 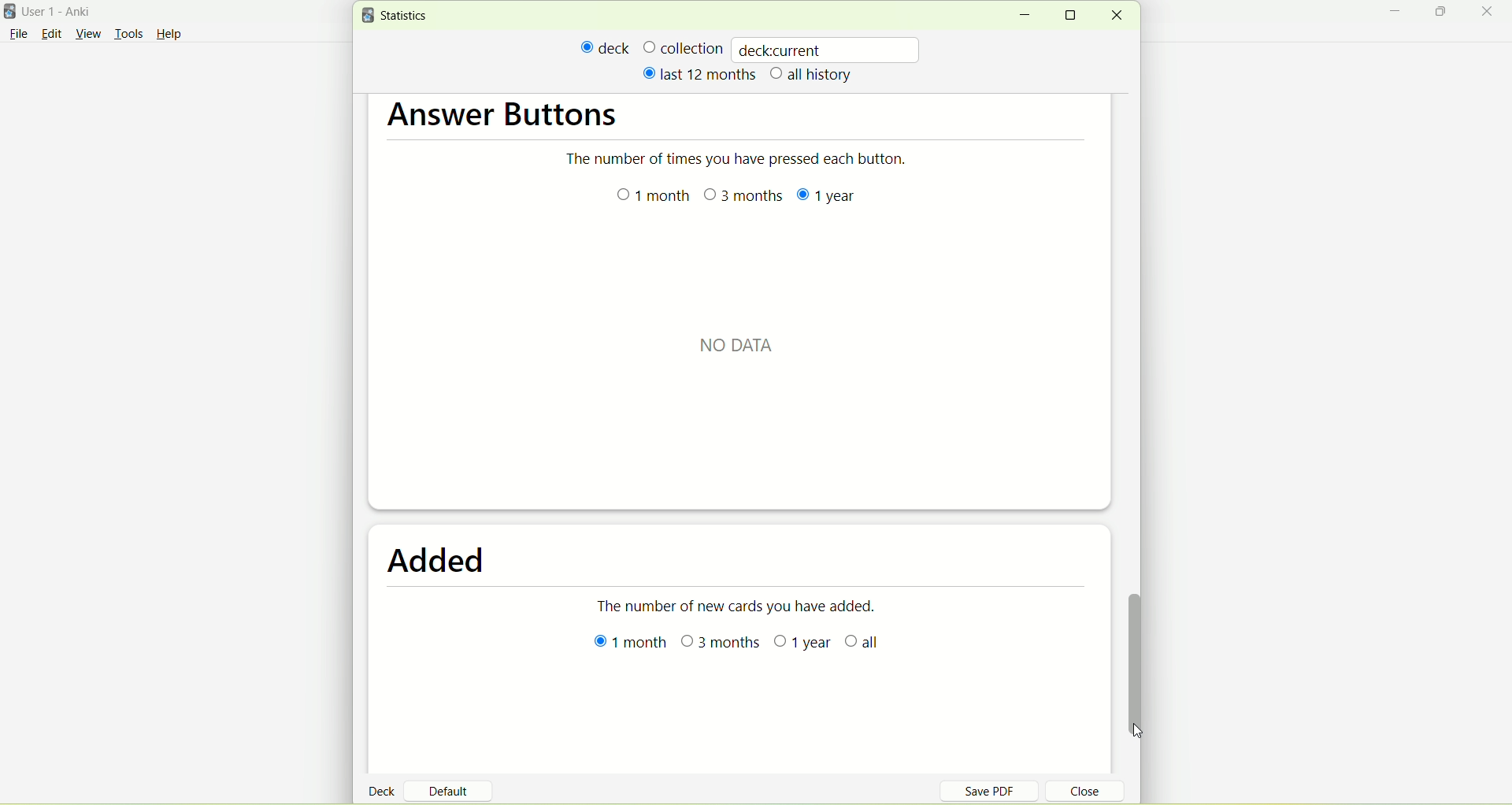 What do you see at coordinates (1116, 16) in the screenshot?
I see `close` at bounding box center [1116, 16].